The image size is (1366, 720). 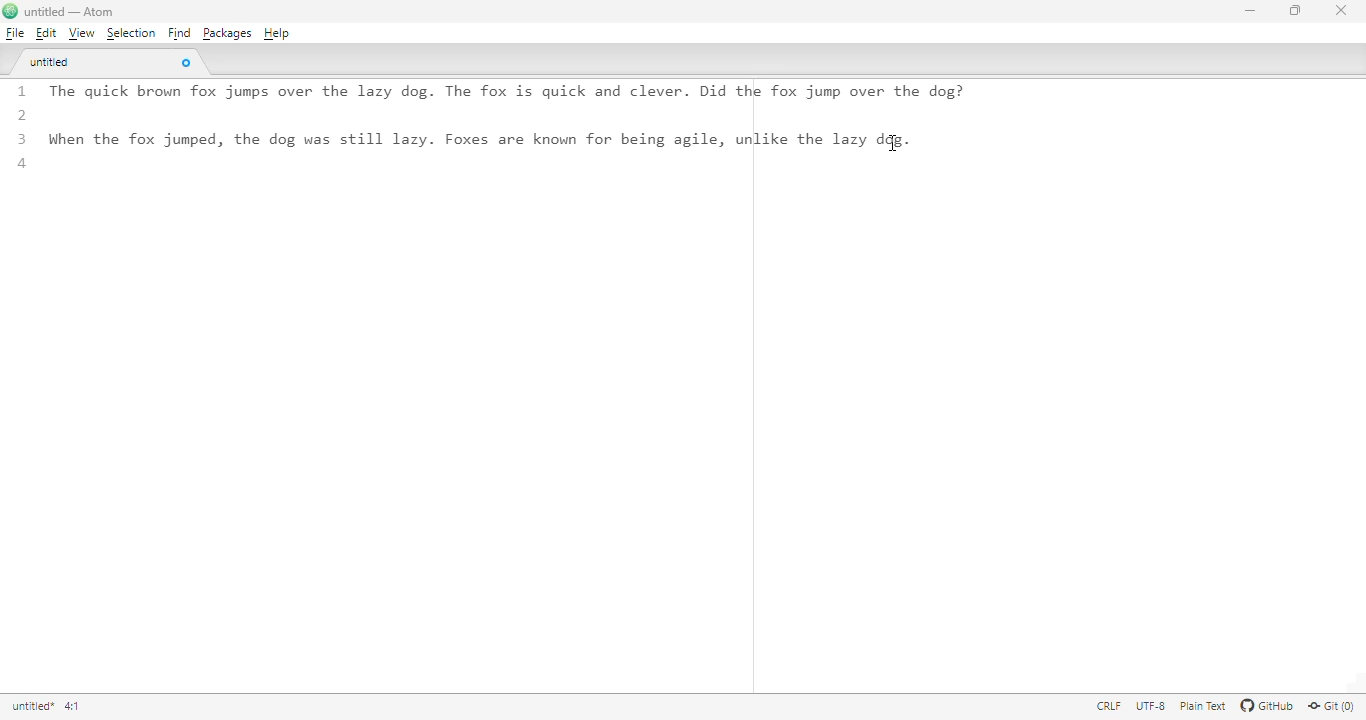 What do you see at coordinates (187, 64) in the screenshot?
I see `close tab` at bounding box center [187, 64].